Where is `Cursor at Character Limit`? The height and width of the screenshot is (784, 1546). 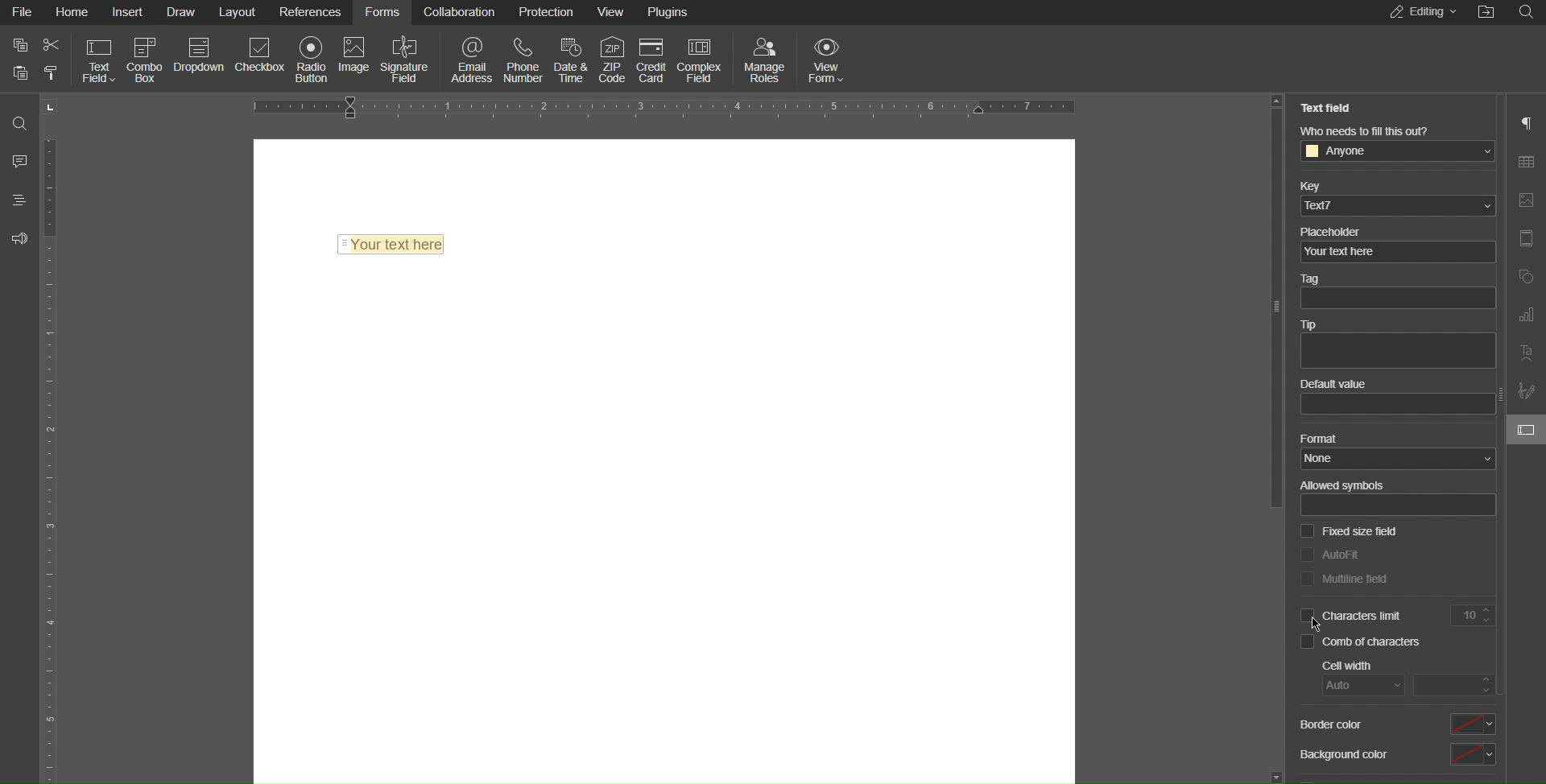 Cursor at Character Limit is located at coordinates (1317, 623).